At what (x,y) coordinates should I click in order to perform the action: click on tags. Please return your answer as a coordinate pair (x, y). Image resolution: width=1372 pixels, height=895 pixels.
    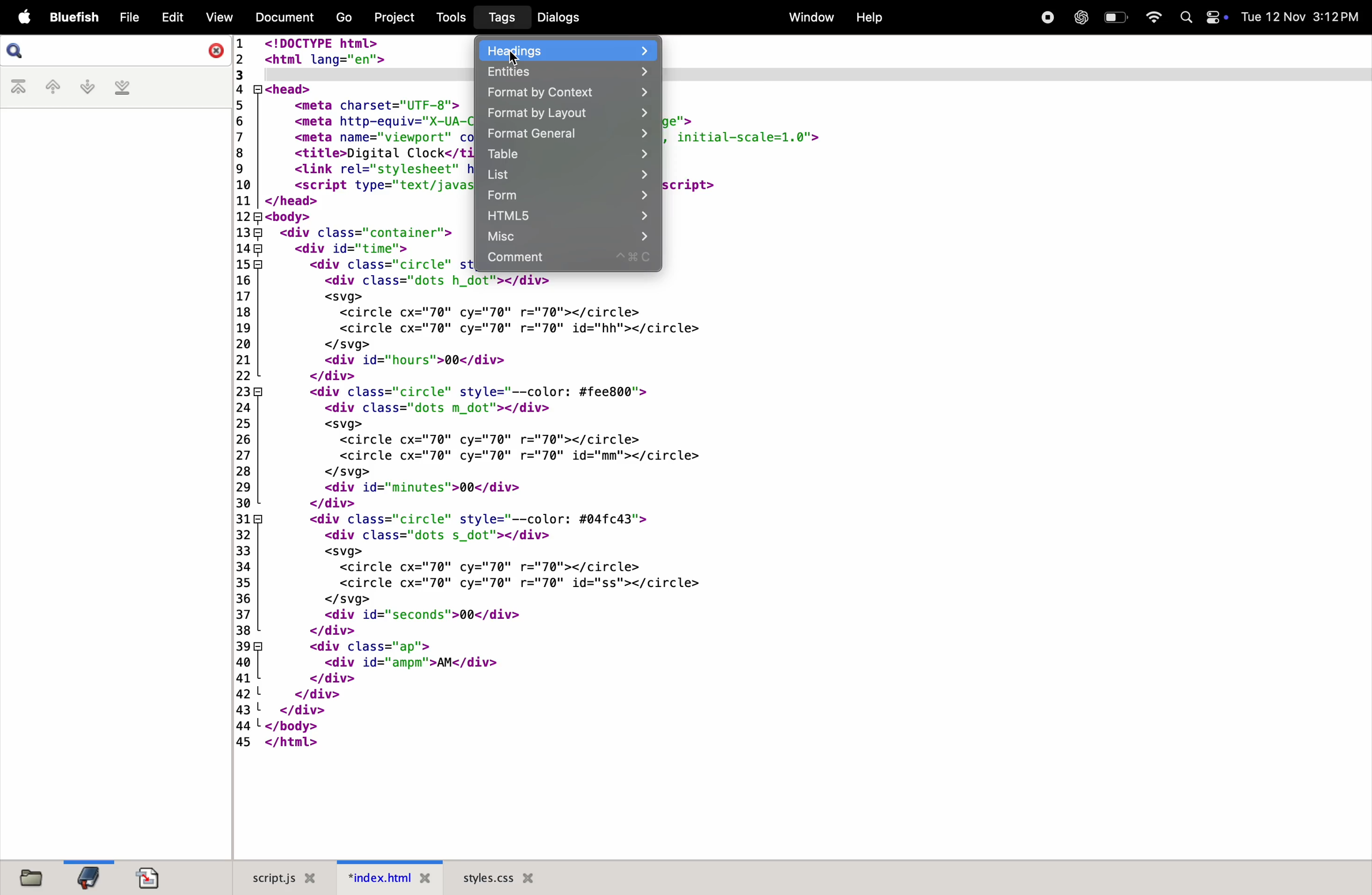
    Looking at the image, I should click on (499, 18).